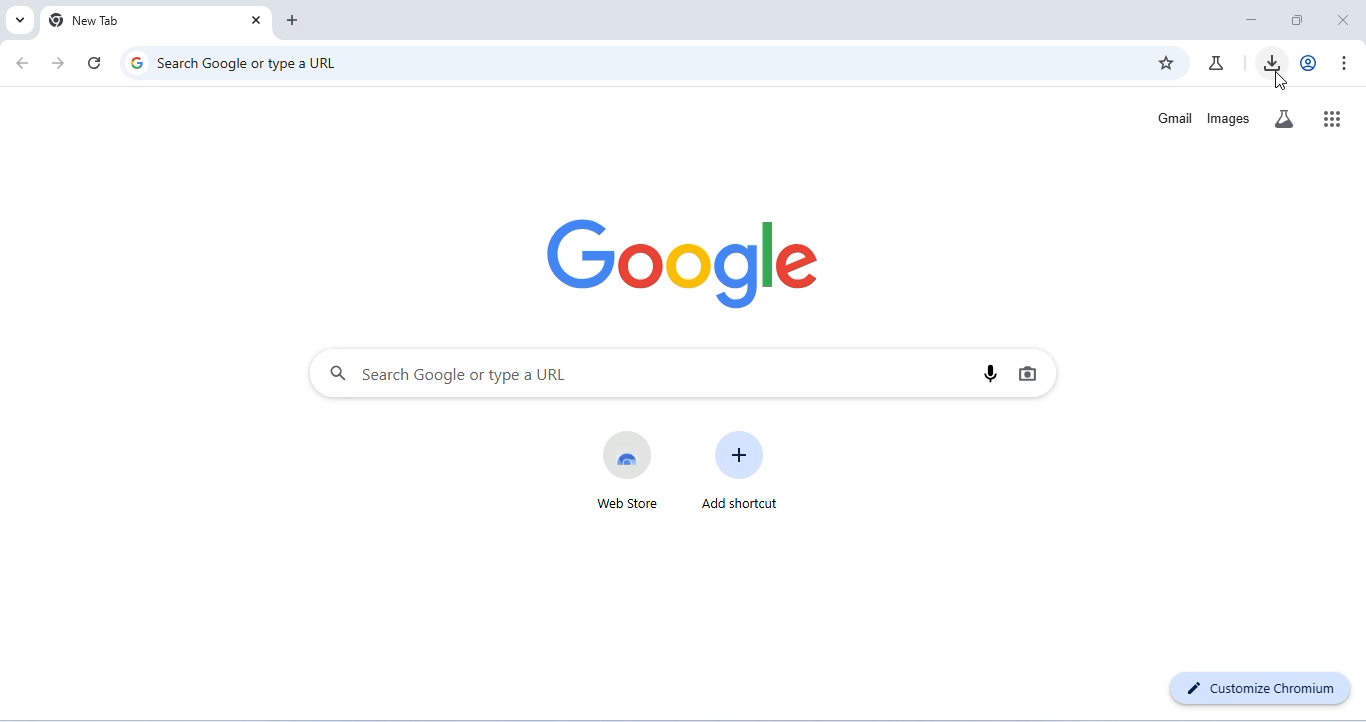  Describe the element at coordinates (1283, 82) in the screenshot. I see `cursor` at that location.